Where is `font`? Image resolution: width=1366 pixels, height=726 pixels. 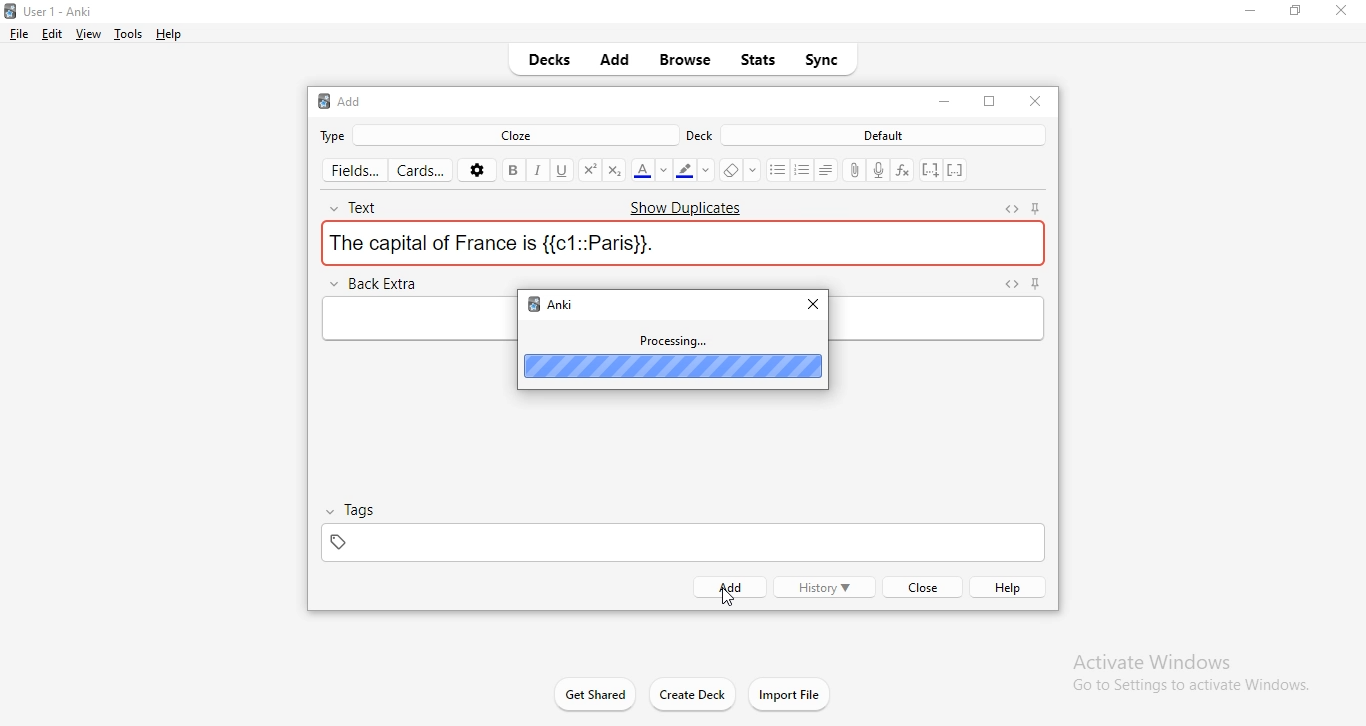
font is located at coordinates (651, 170).